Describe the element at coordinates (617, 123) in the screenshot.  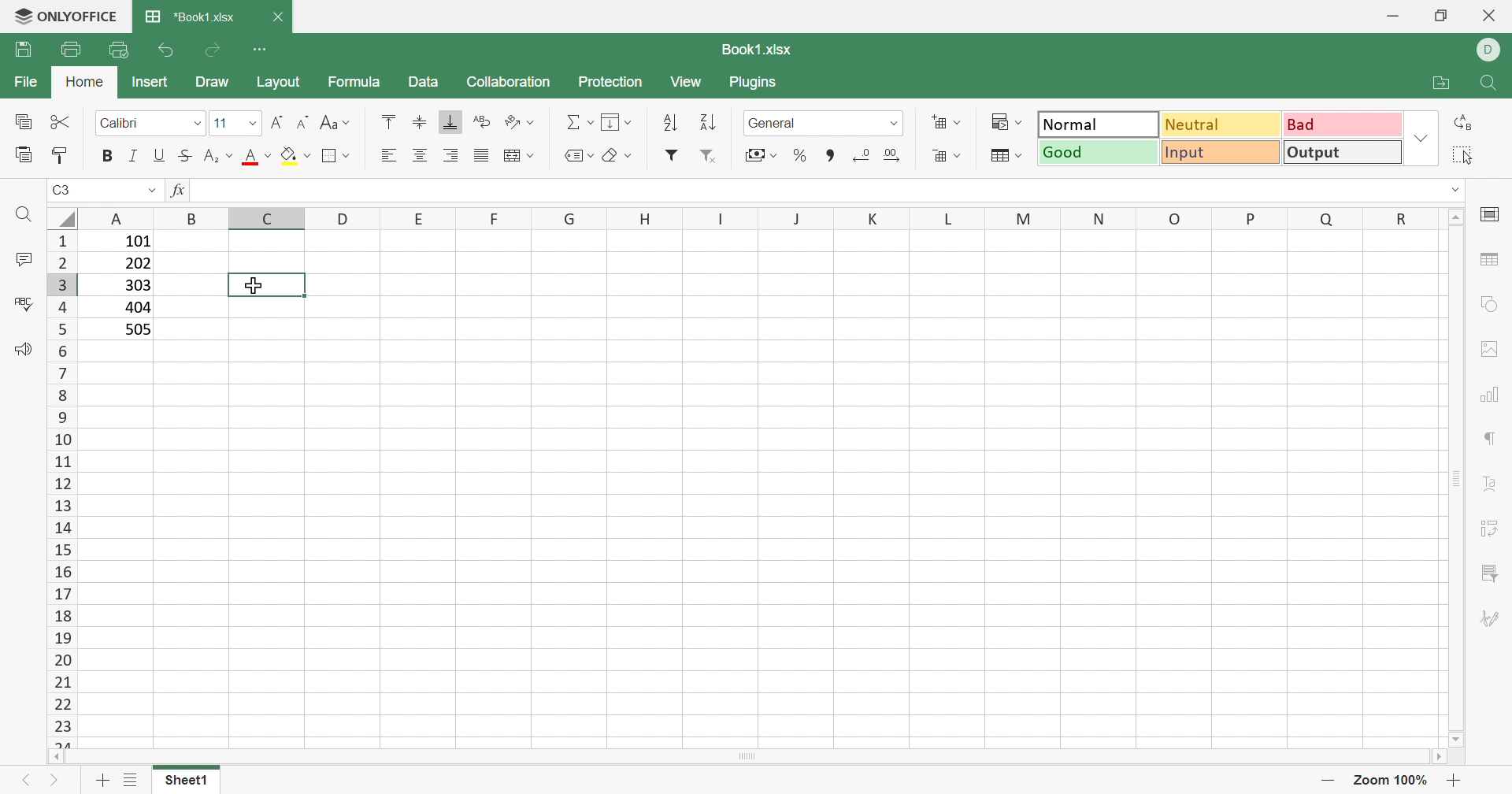
I see `Fill` at that location.